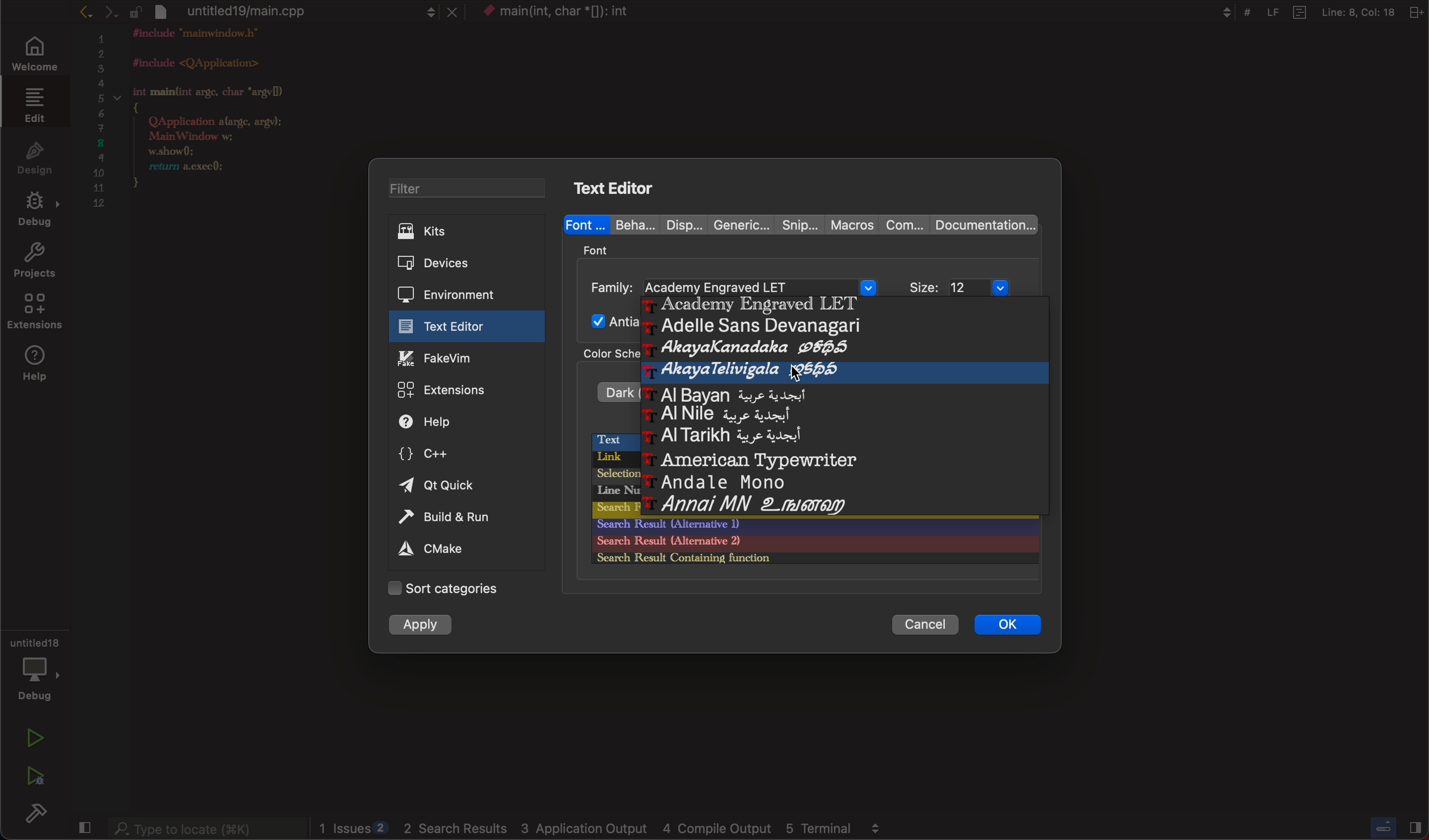 This screenshot has width=1429, height=840. Describe the element at coordinates (630, 224) in the screenshot. I see `beha` at that location.